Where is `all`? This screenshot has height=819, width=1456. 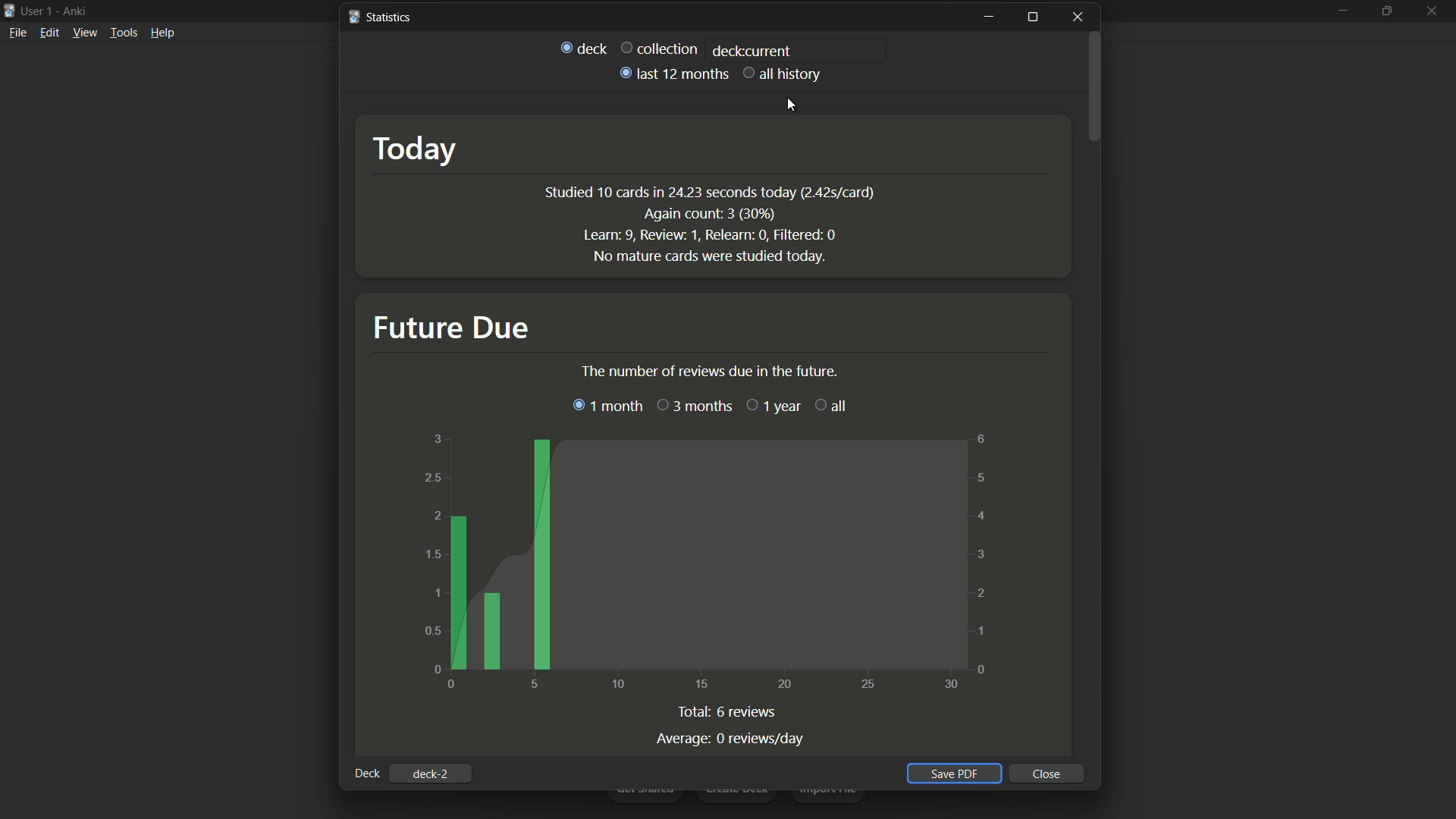
all is located at coordinates (830, 403).